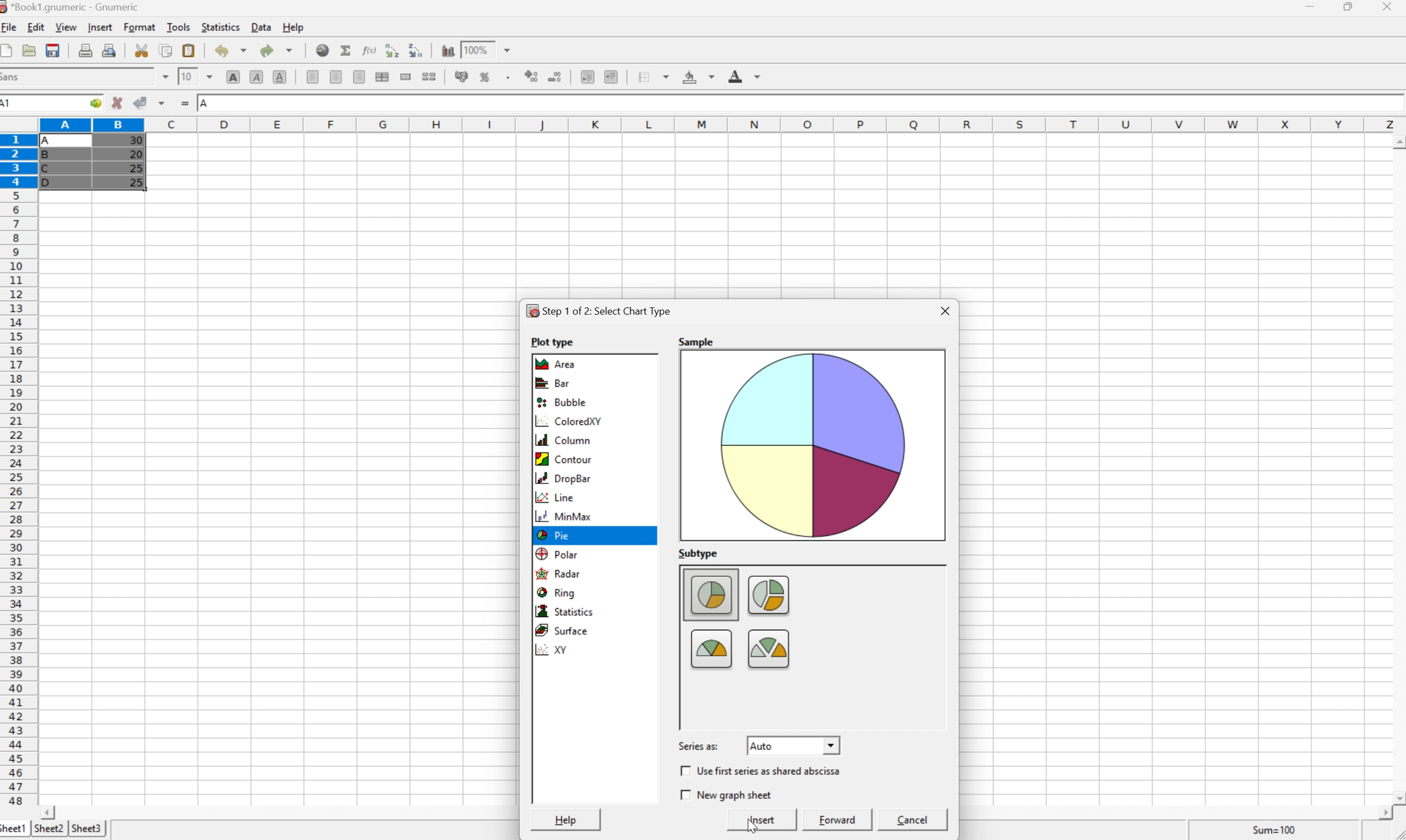 This screenshot has height=840, width=1406. I want to click on Borders, so click(649, 76).